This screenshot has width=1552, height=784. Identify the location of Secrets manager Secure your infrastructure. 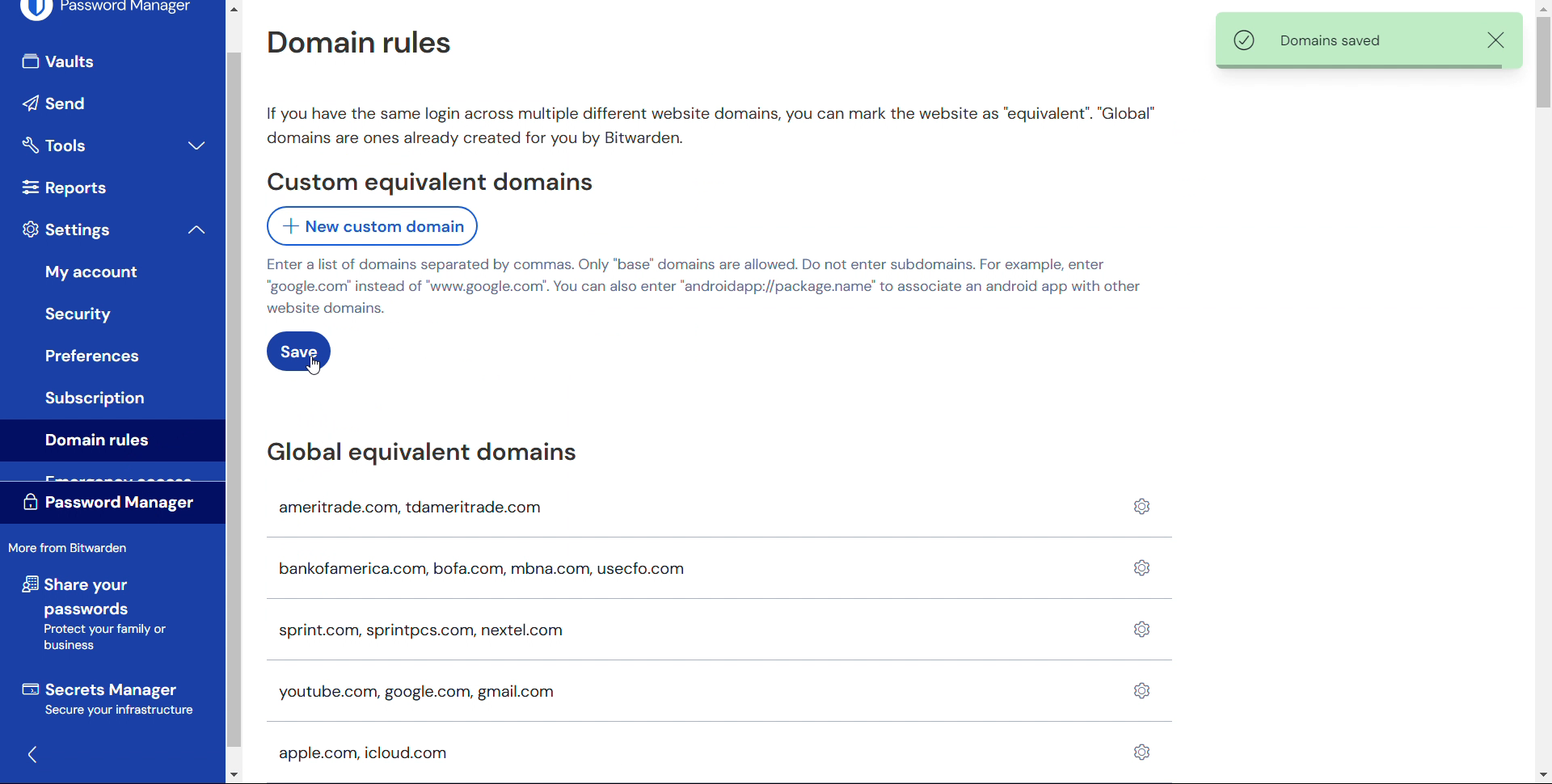
(106, 701).